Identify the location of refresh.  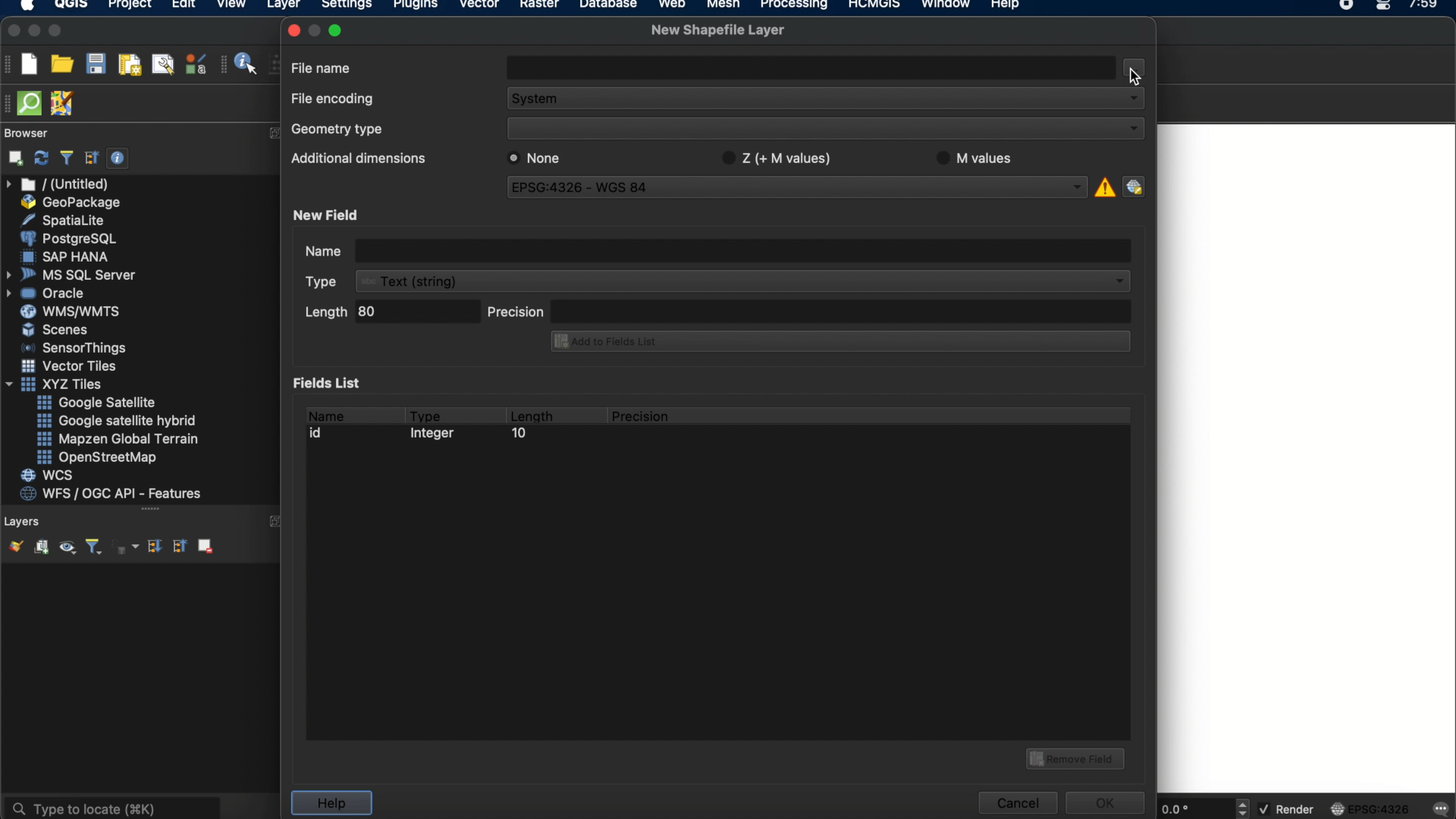
(42, 158).